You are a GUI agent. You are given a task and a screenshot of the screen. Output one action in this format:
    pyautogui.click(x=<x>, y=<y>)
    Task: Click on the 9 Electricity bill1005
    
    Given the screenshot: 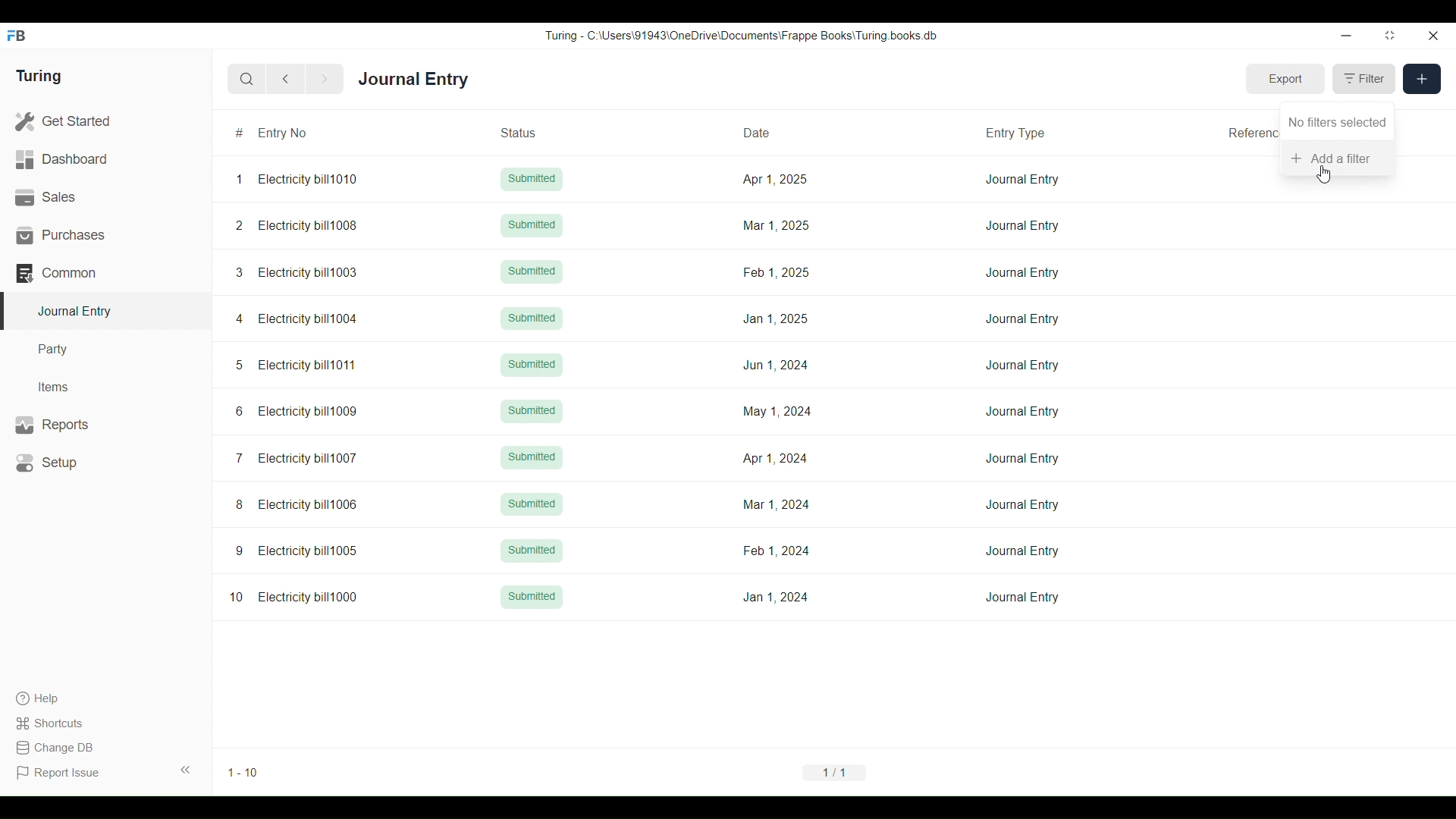 What is the action you would take?
    pyautogui.click(x=297, y=551)
    